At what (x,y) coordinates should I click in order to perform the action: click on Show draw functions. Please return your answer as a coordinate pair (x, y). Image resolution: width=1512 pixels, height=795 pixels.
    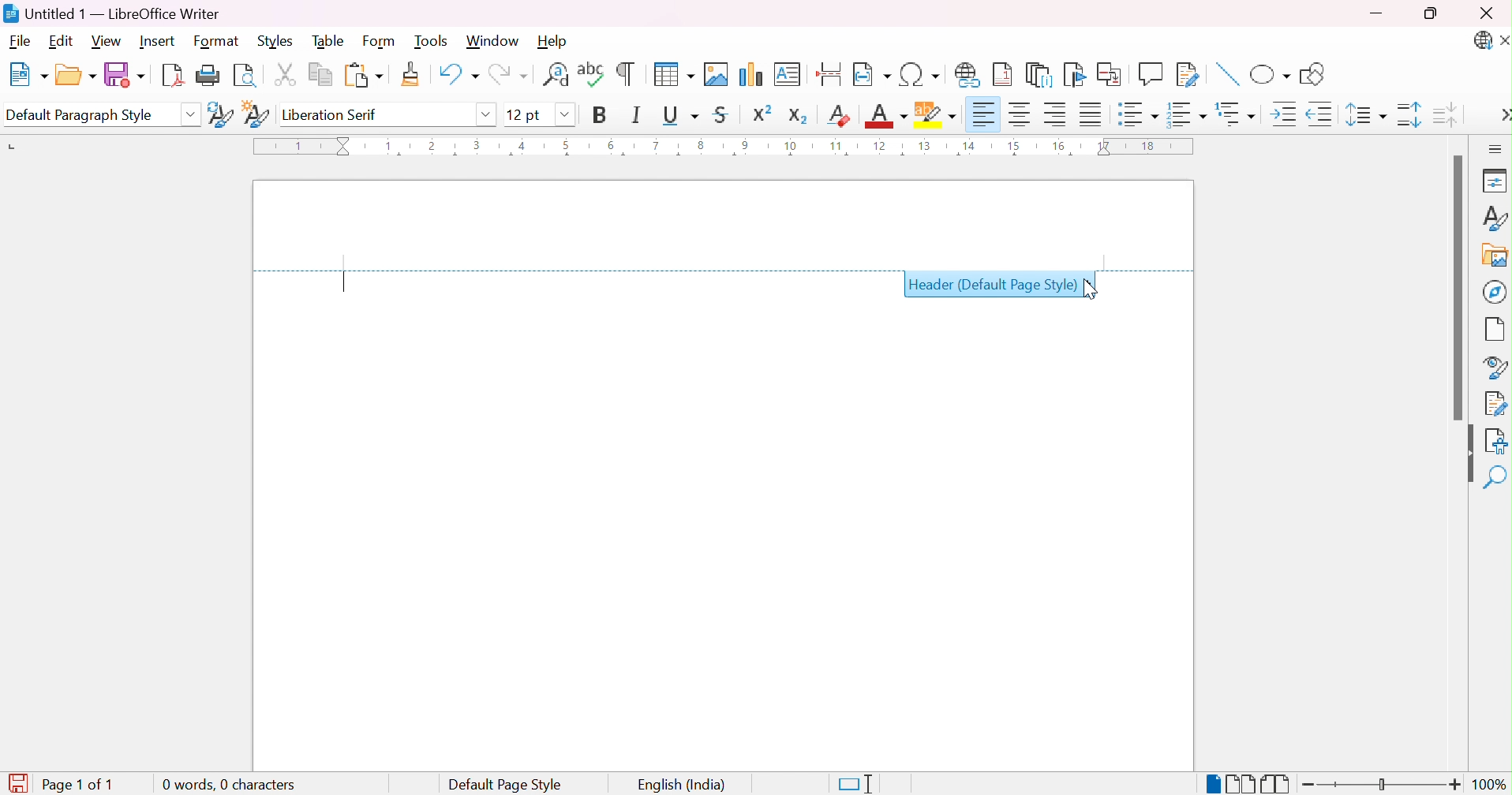
    Looking at the image, I should click on (1311, 75).